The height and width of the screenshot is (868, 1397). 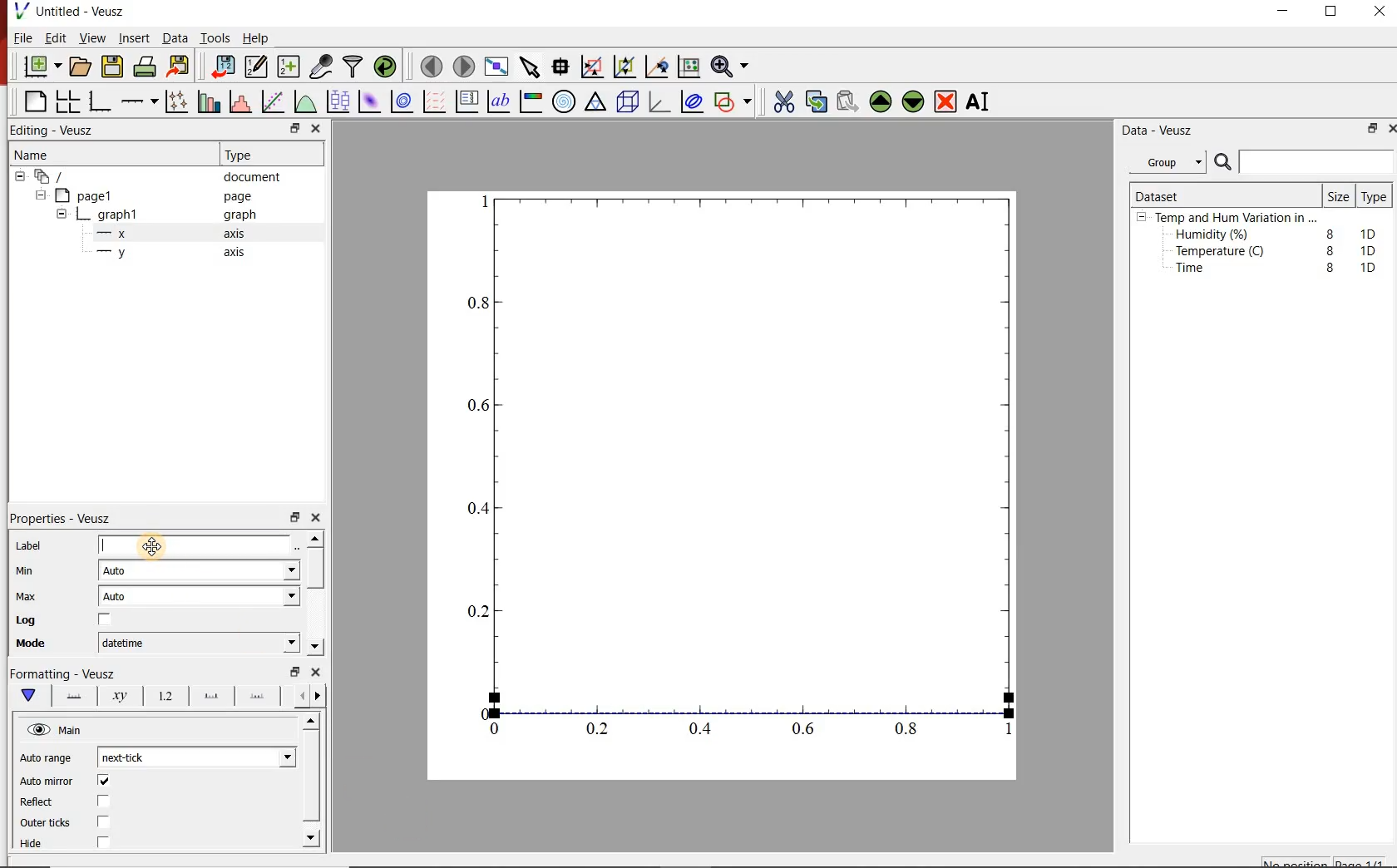 What do you see at coordinates (120, 234) in the screenshot?
I see `x` at bounding box center [120, 234].